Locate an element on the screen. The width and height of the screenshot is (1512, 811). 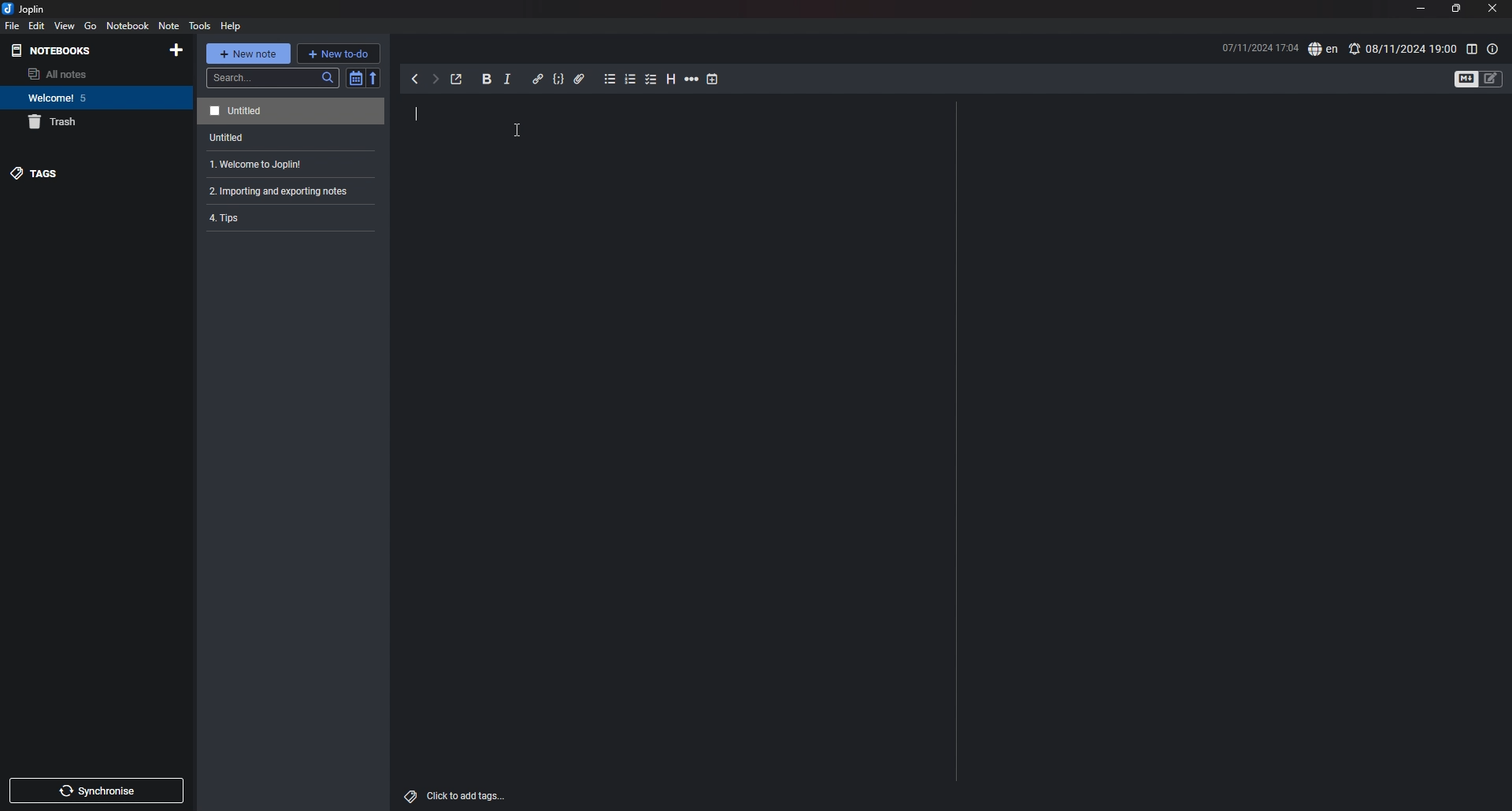
heading is located at coordinates (671, 80).